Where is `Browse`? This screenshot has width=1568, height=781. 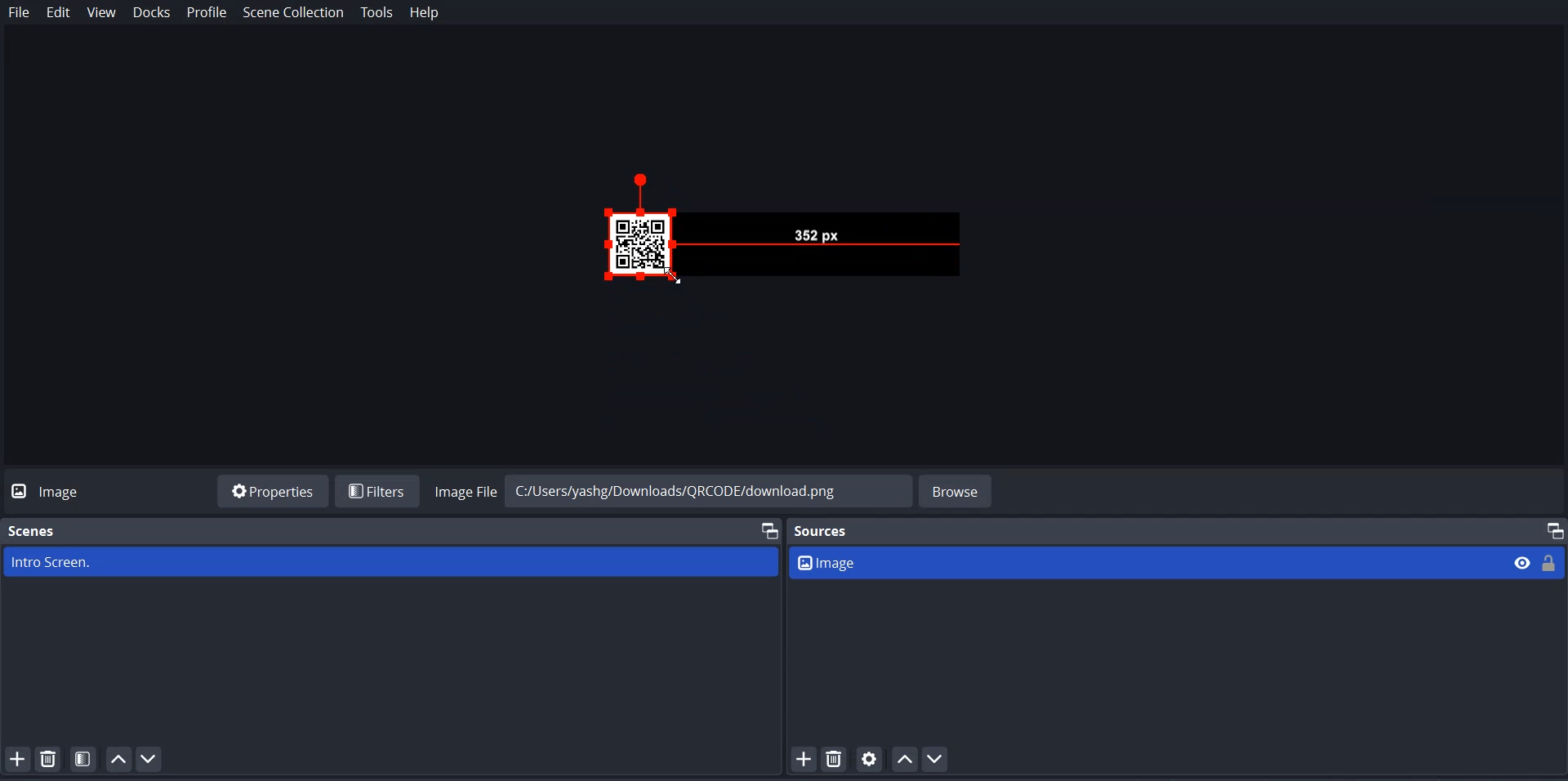
Browse is located at coordinates (957, 489).